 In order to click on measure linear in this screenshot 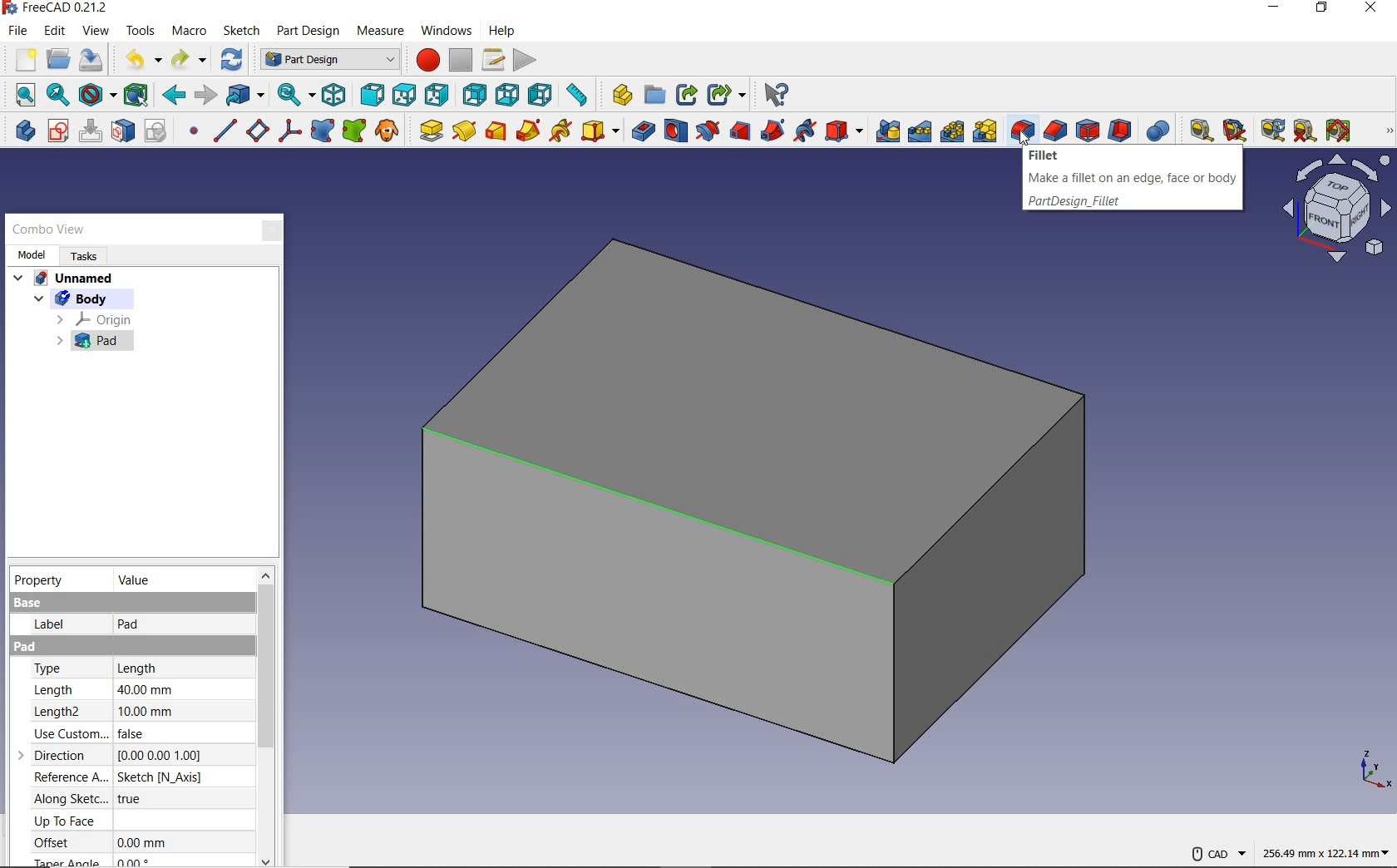, I will do `click(1198, 129)`.